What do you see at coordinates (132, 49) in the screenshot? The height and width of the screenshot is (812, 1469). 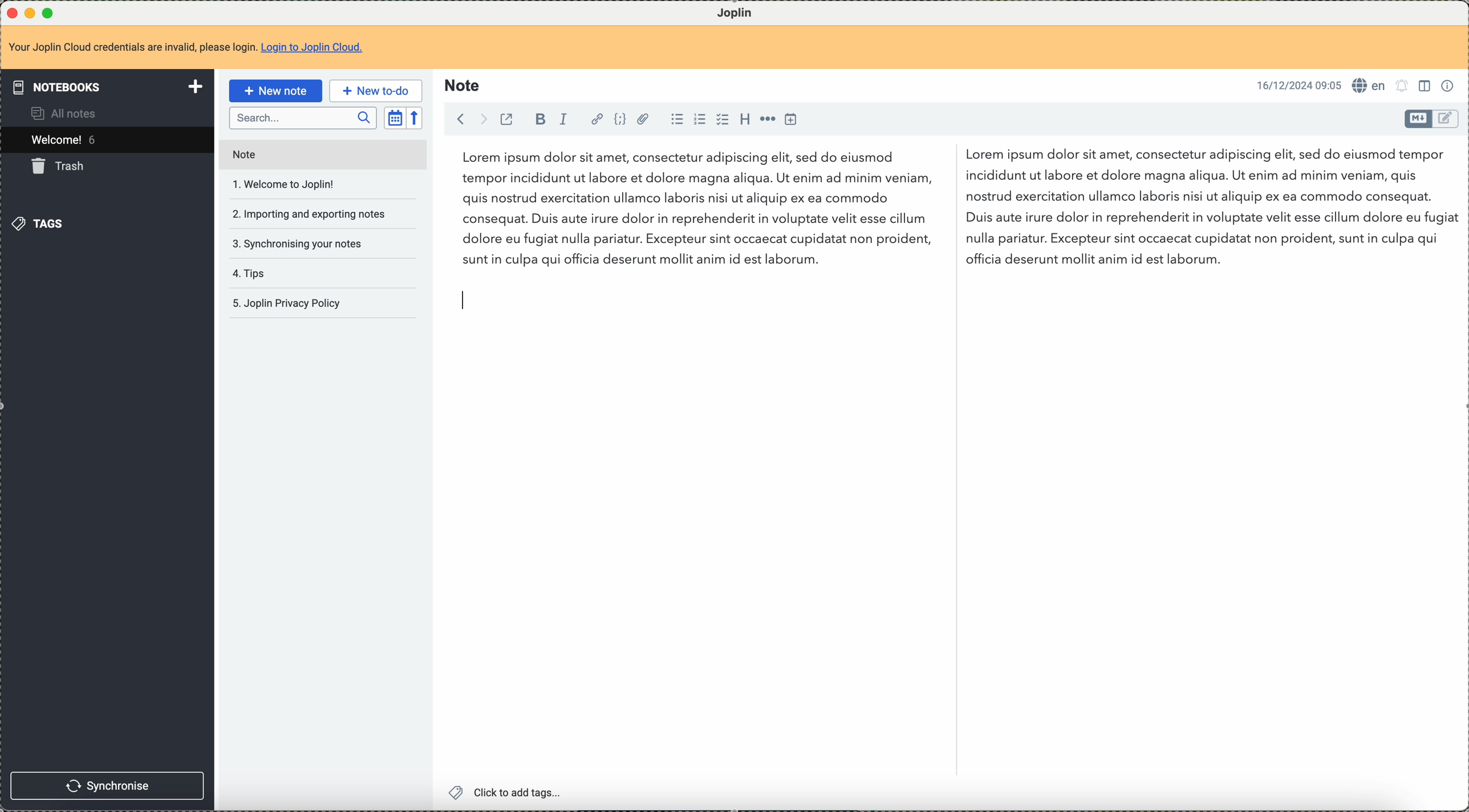 I see `Your Joplin Cloud credentials are invalid, please login.` at bounding box center [132, 49].